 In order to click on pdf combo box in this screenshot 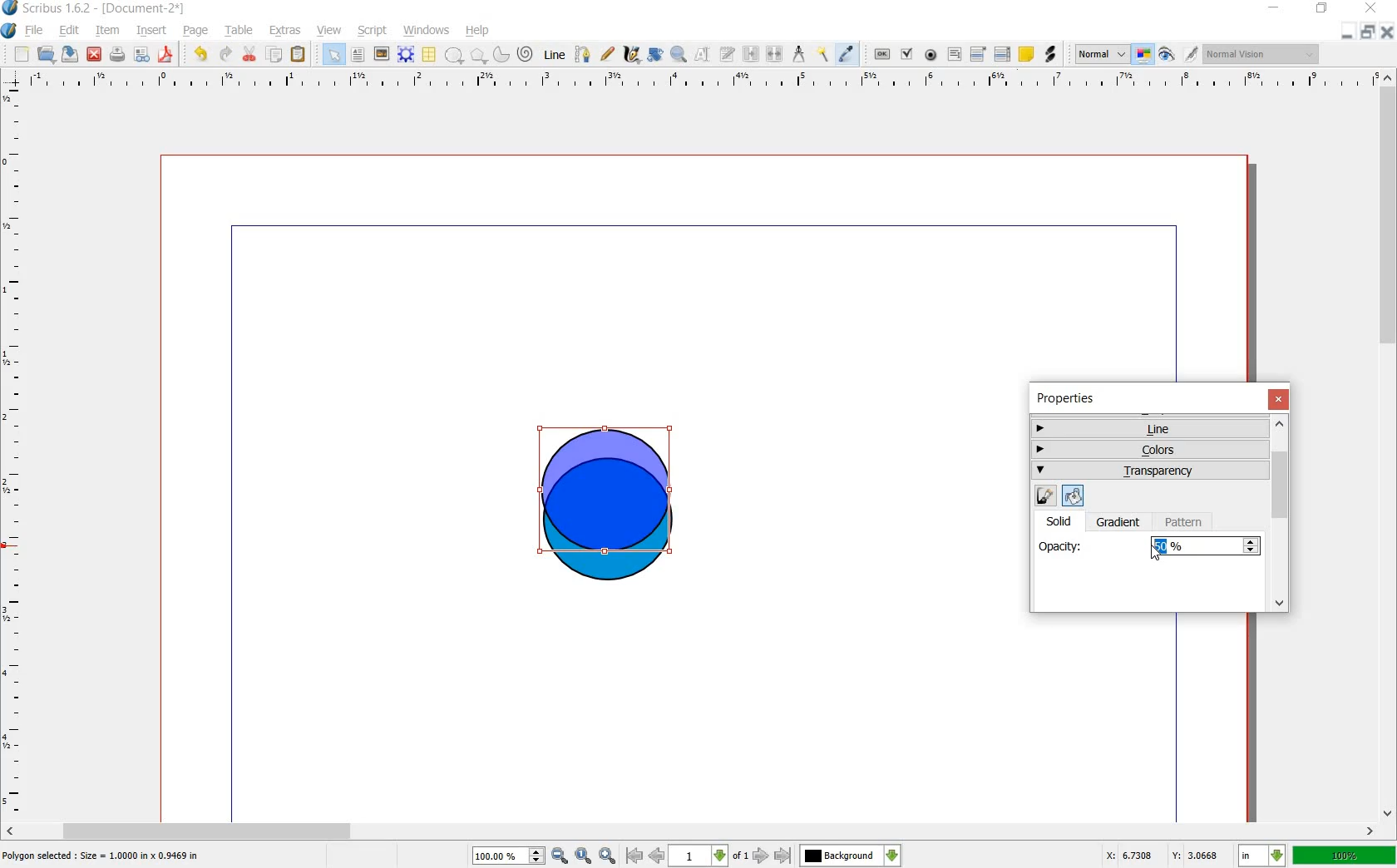, I will do `click(977, 54)`.